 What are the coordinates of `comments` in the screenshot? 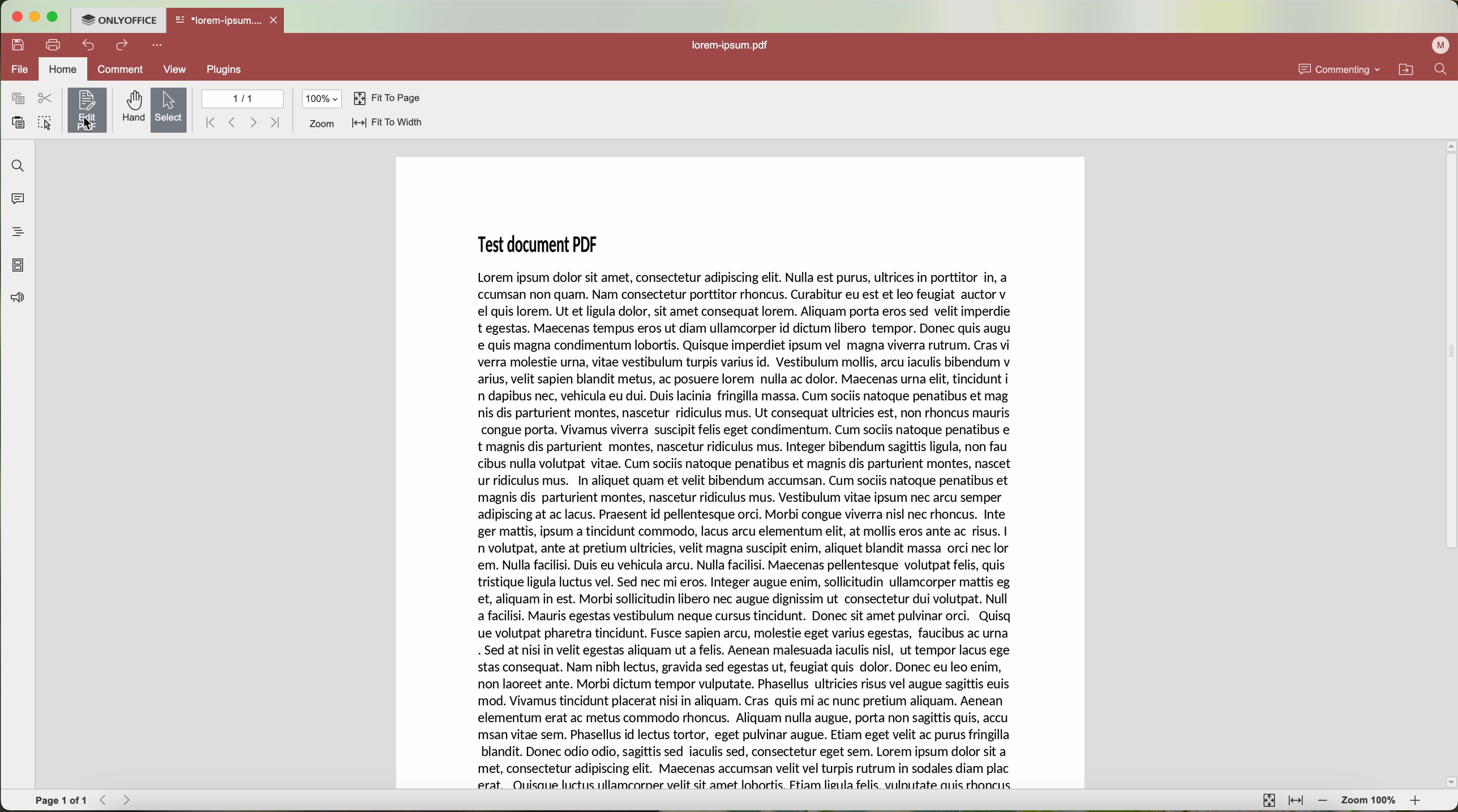 It's located at (18, 198).